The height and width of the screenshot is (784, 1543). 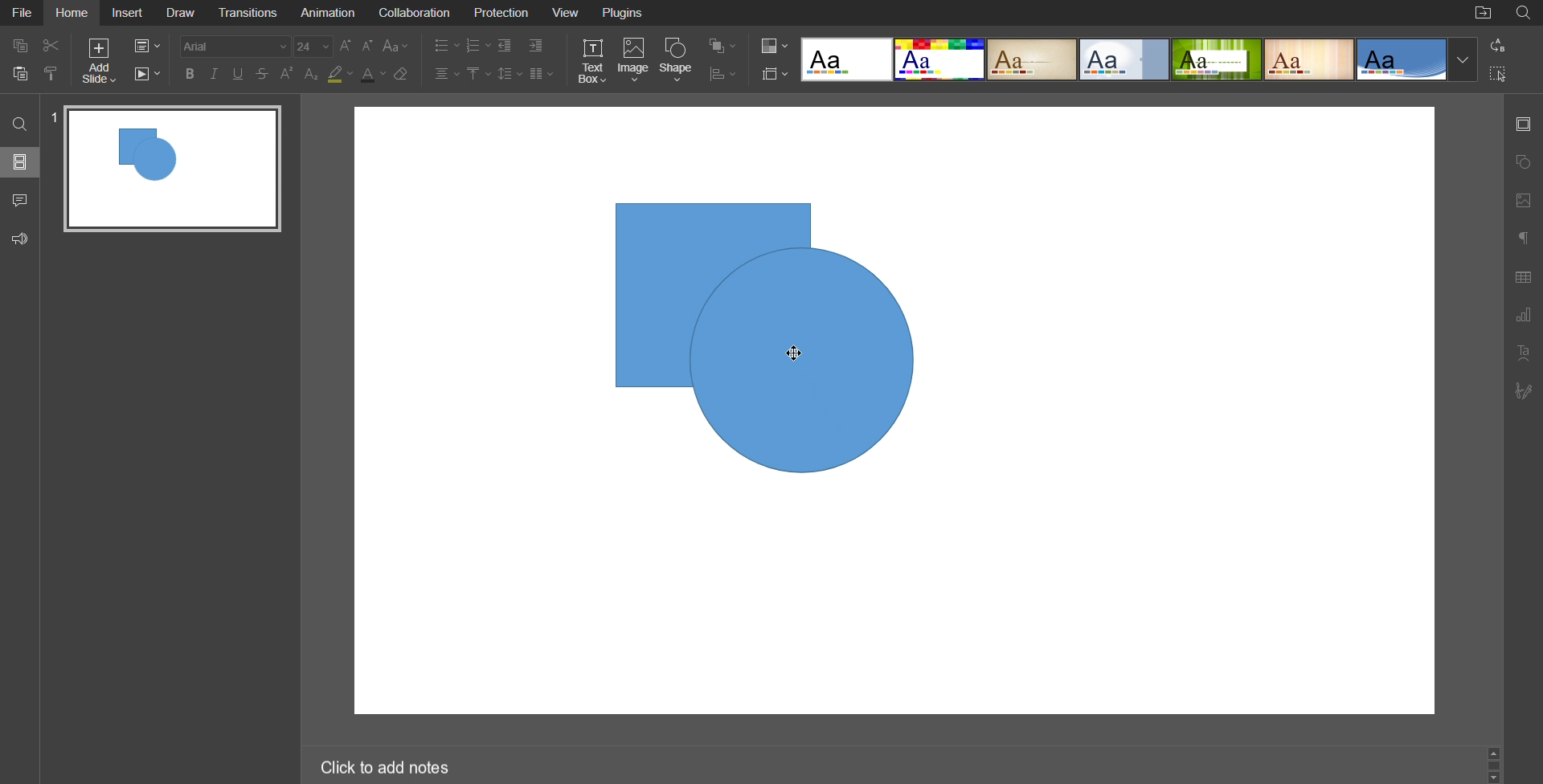 I want to click on Decrease Indent, so click(x=506, y=46).